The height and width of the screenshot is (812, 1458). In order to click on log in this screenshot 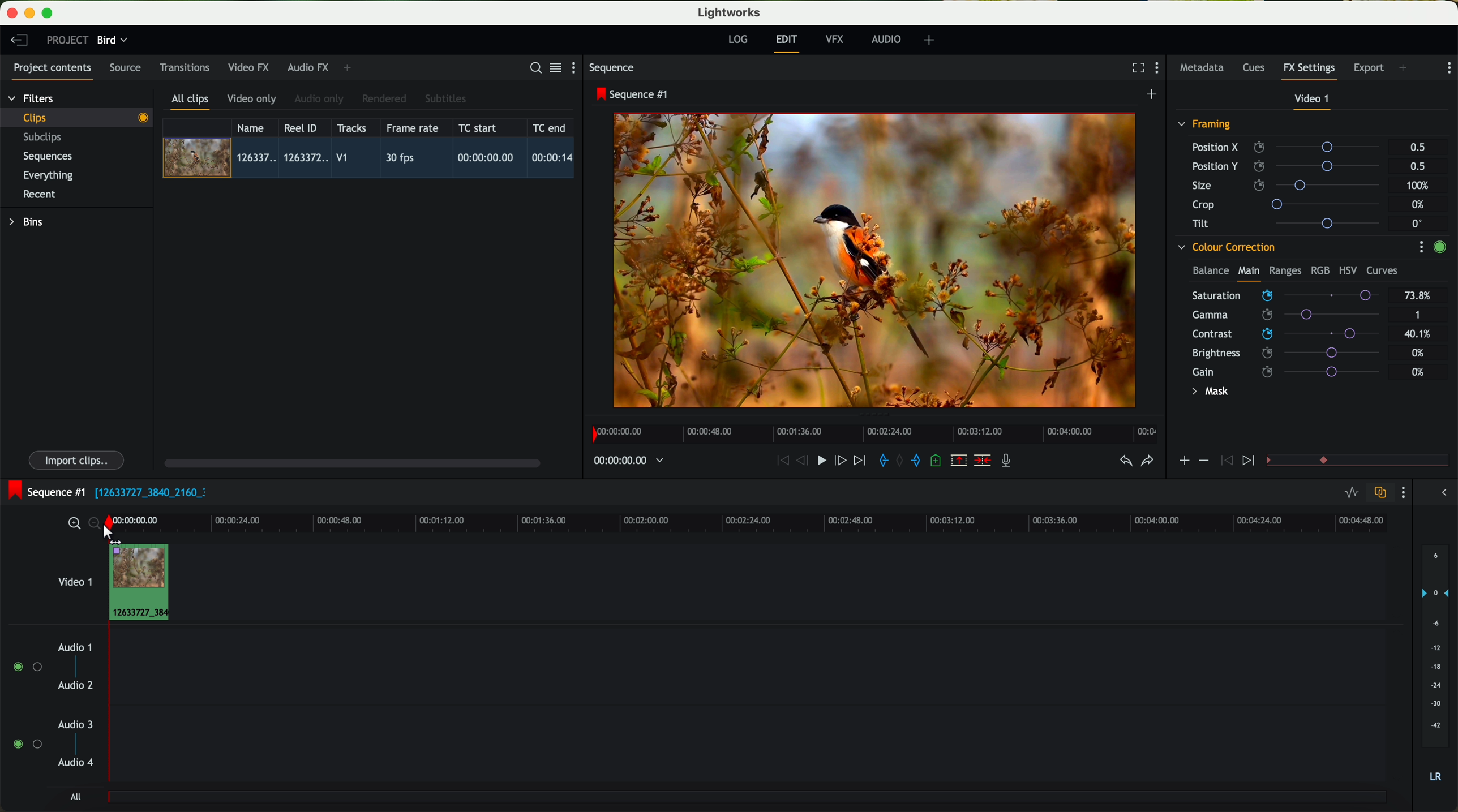, I will do `click(737, 40)`.